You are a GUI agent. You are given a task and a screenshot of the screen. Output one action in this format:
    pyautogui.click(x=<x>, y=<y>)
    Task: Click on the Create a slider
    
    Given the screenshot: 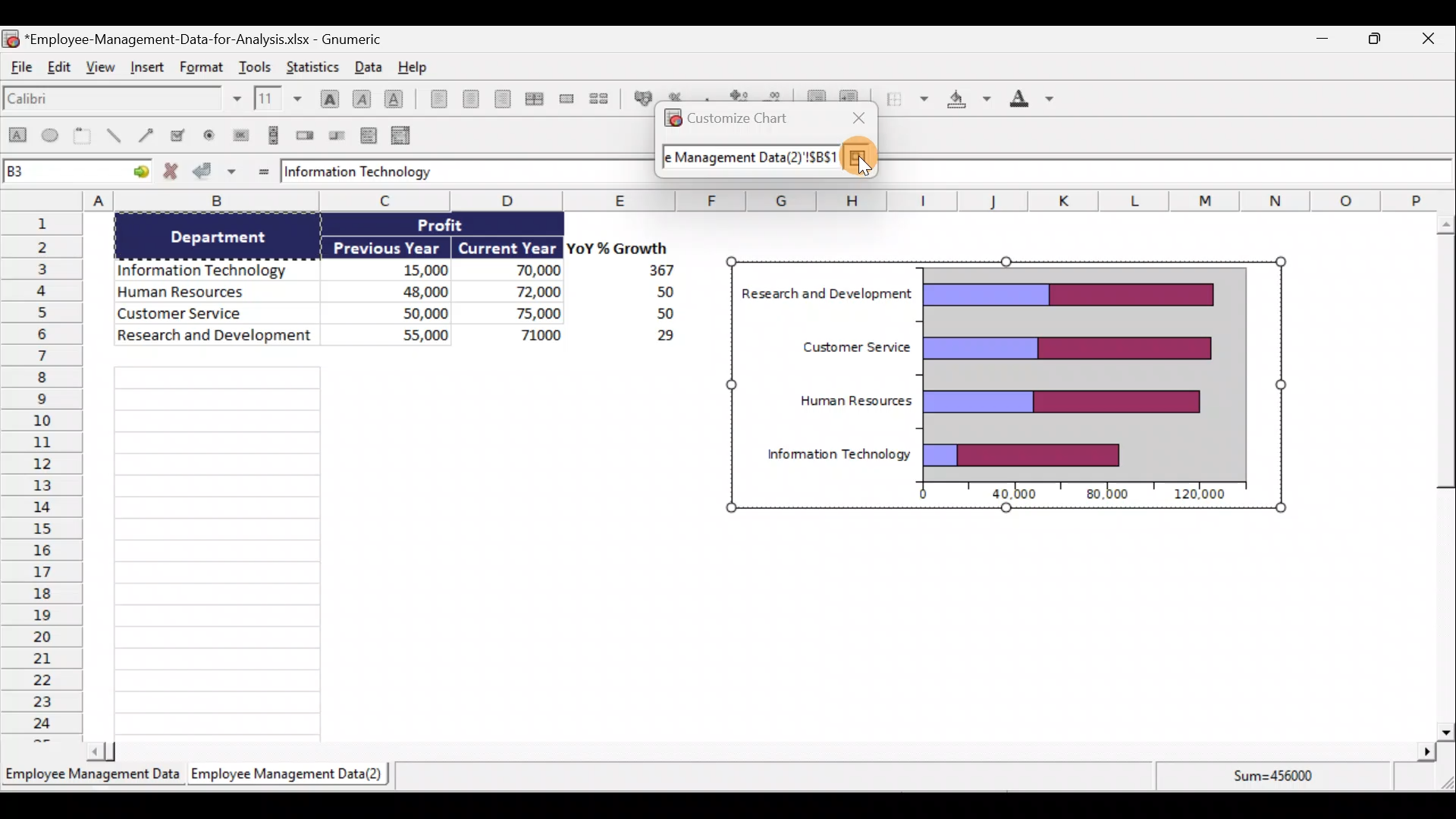 What is the action you would take?
    pyautogui.click(x=338, y=134)
    